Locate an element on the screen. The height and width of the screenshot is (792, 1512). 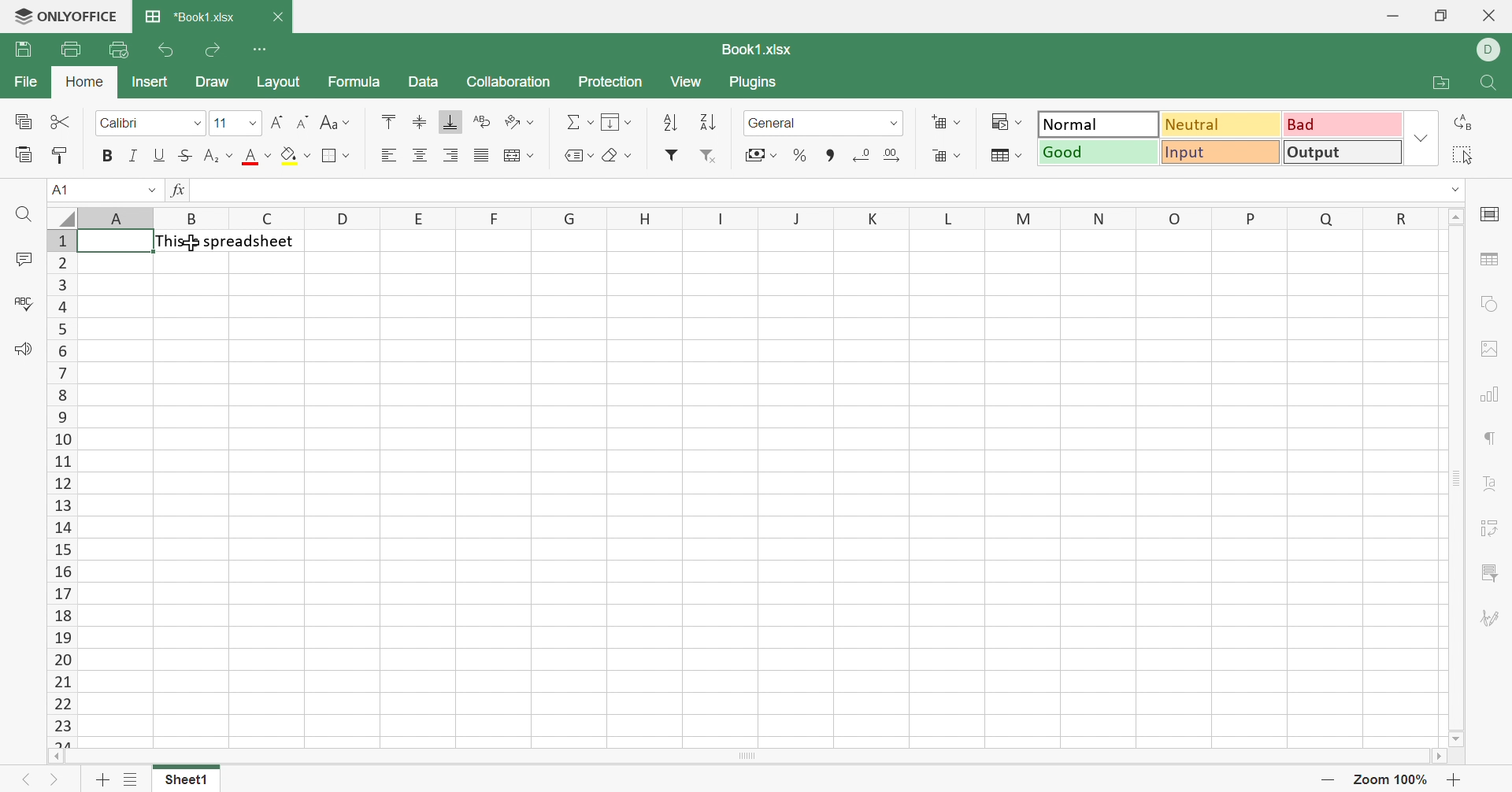
Zoom 100% is located at coordinates (1389, 779).